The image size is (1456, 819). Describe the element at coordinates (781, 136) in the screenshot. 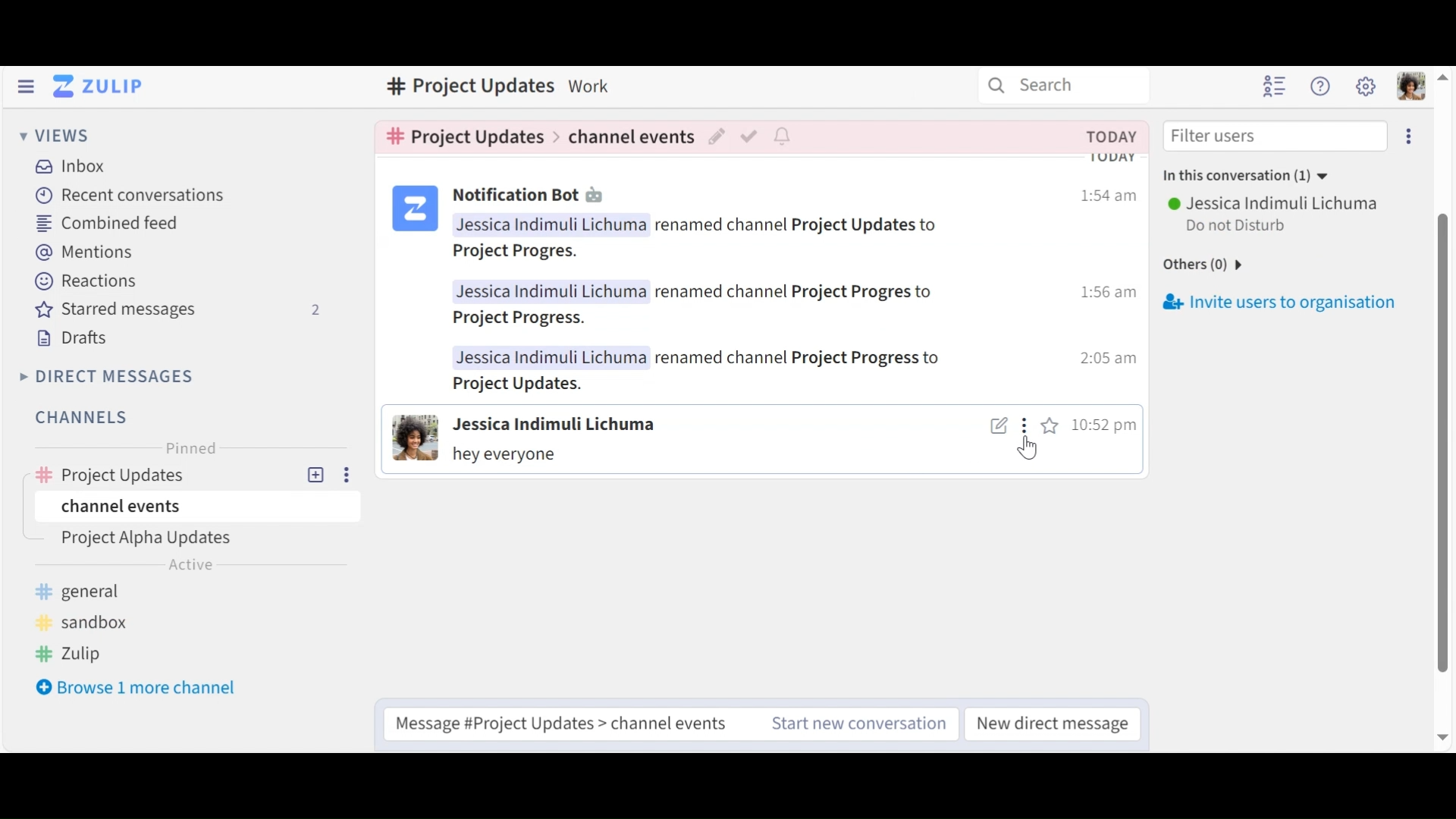

I see `configure notification` at that location.